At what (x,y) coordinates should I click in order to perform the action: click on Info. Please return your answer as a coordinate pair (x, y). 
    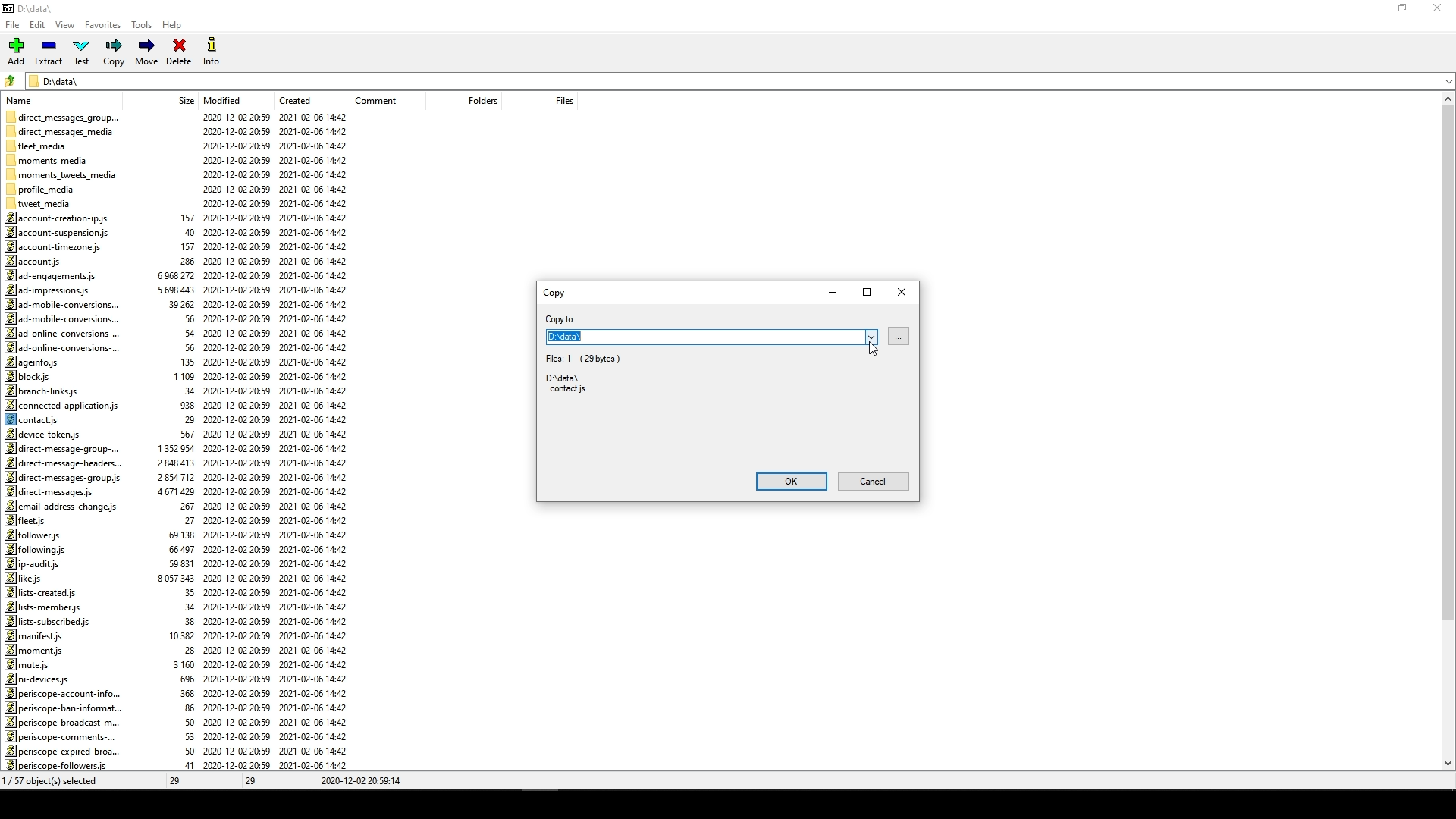
    Looking at the image, I should click on (211, 52).